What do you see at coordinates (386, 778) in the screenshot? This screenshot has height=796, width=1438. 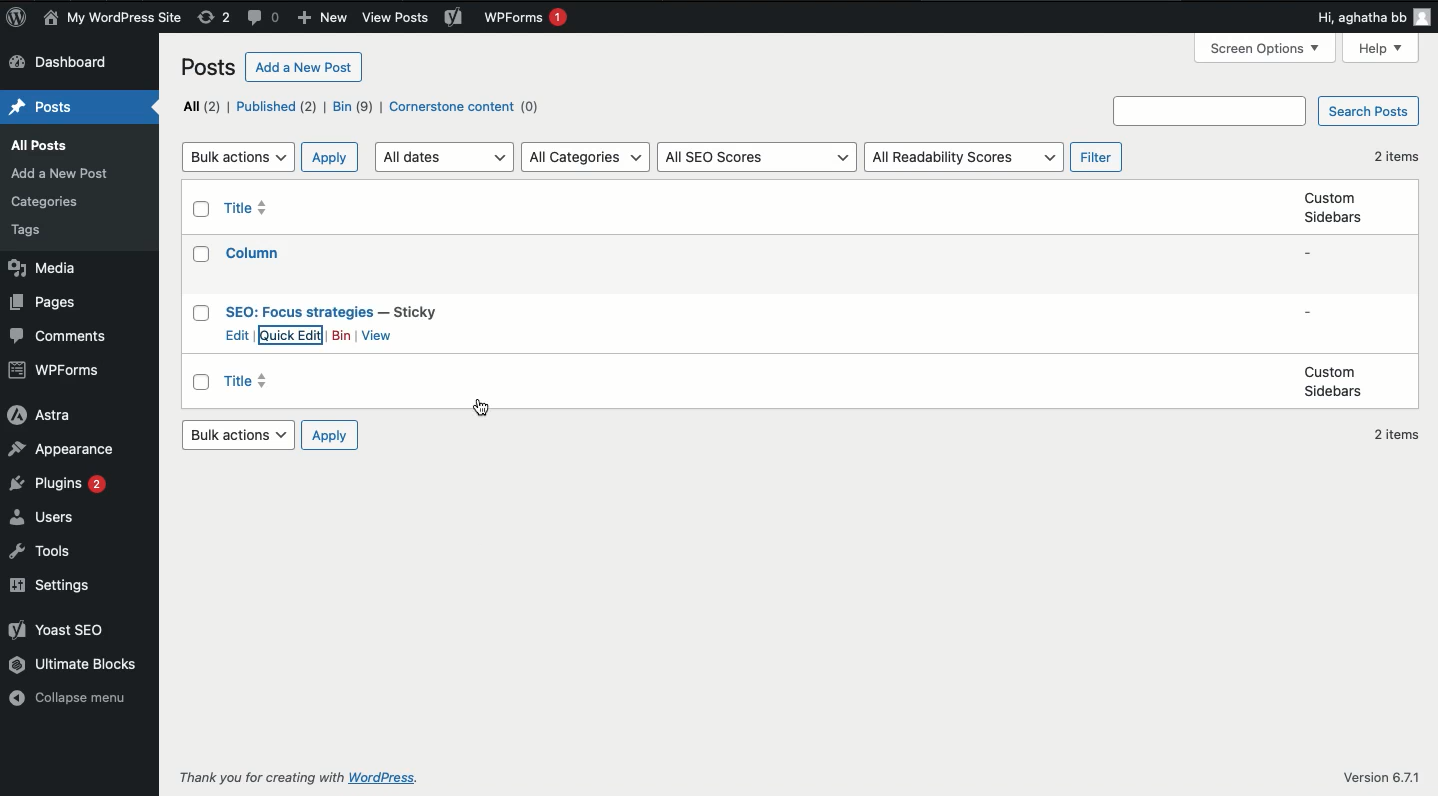 I see `wordpress` at bounding box center [386, 778].